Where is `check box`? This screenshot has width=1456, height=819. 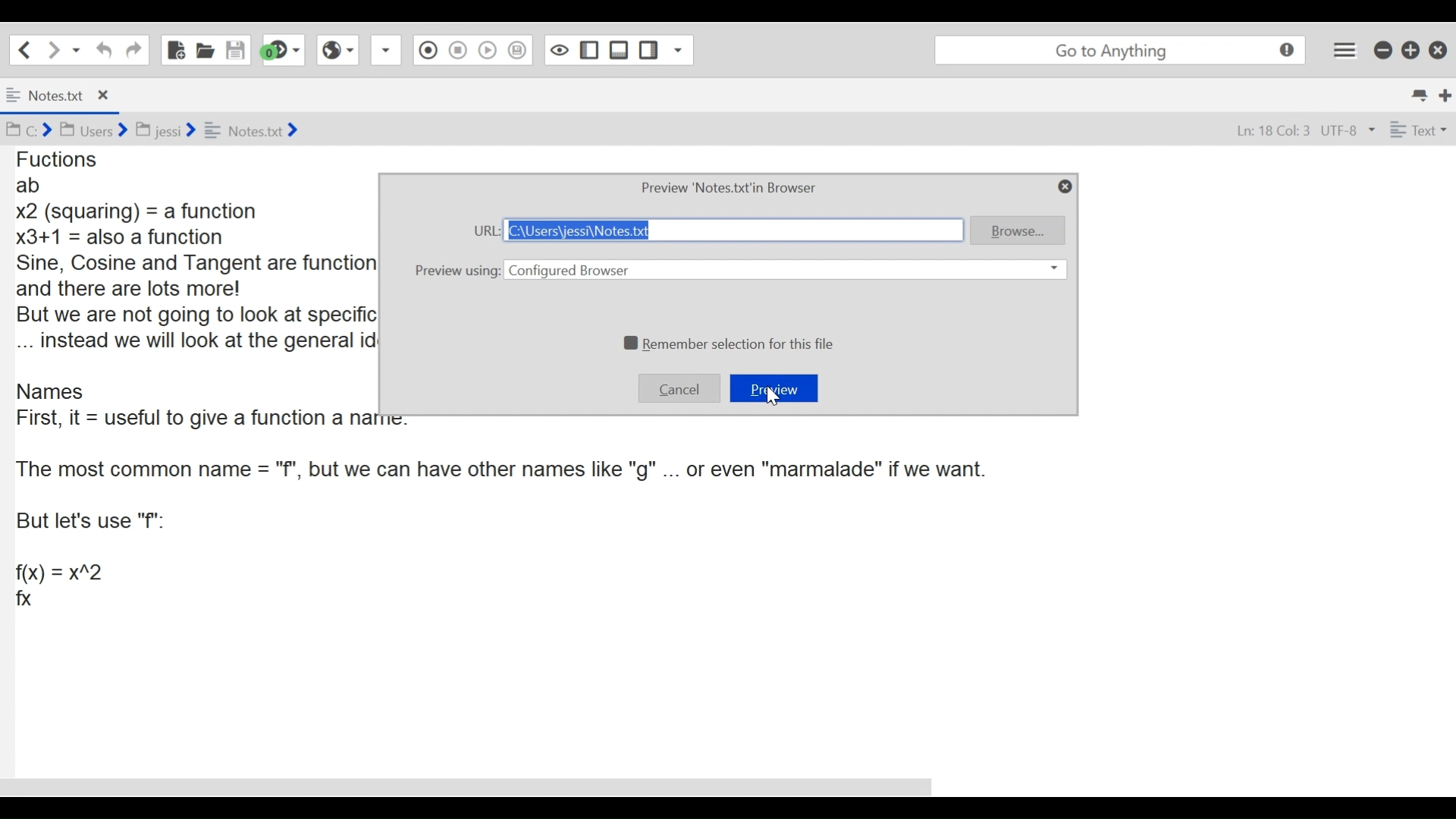 check box is located at coordinates (629, 341).